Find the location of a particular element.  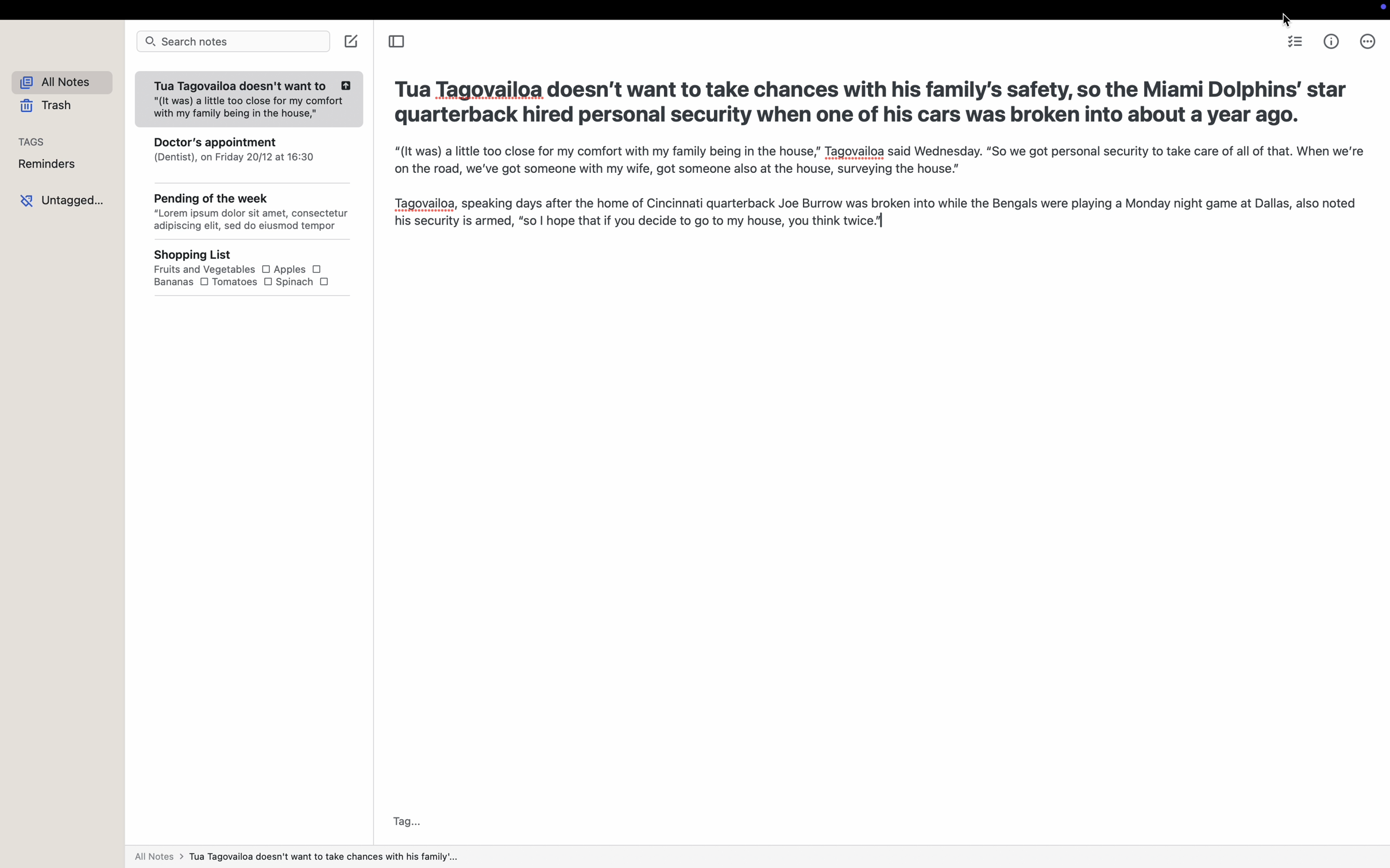

trash is located at coordinates (49, 107).